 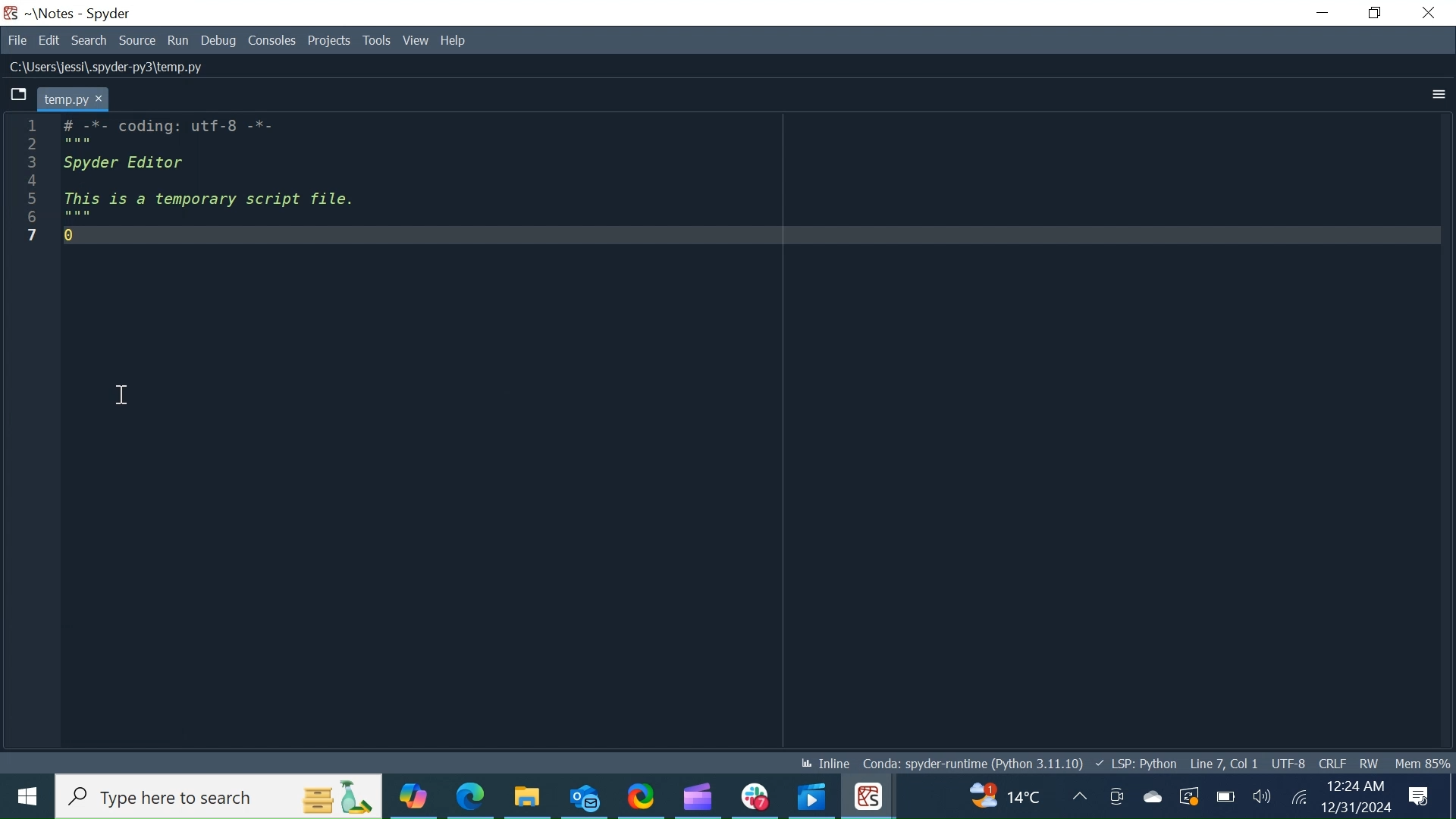 I want to click on Browse Tabs, so click(x=17, y=95).